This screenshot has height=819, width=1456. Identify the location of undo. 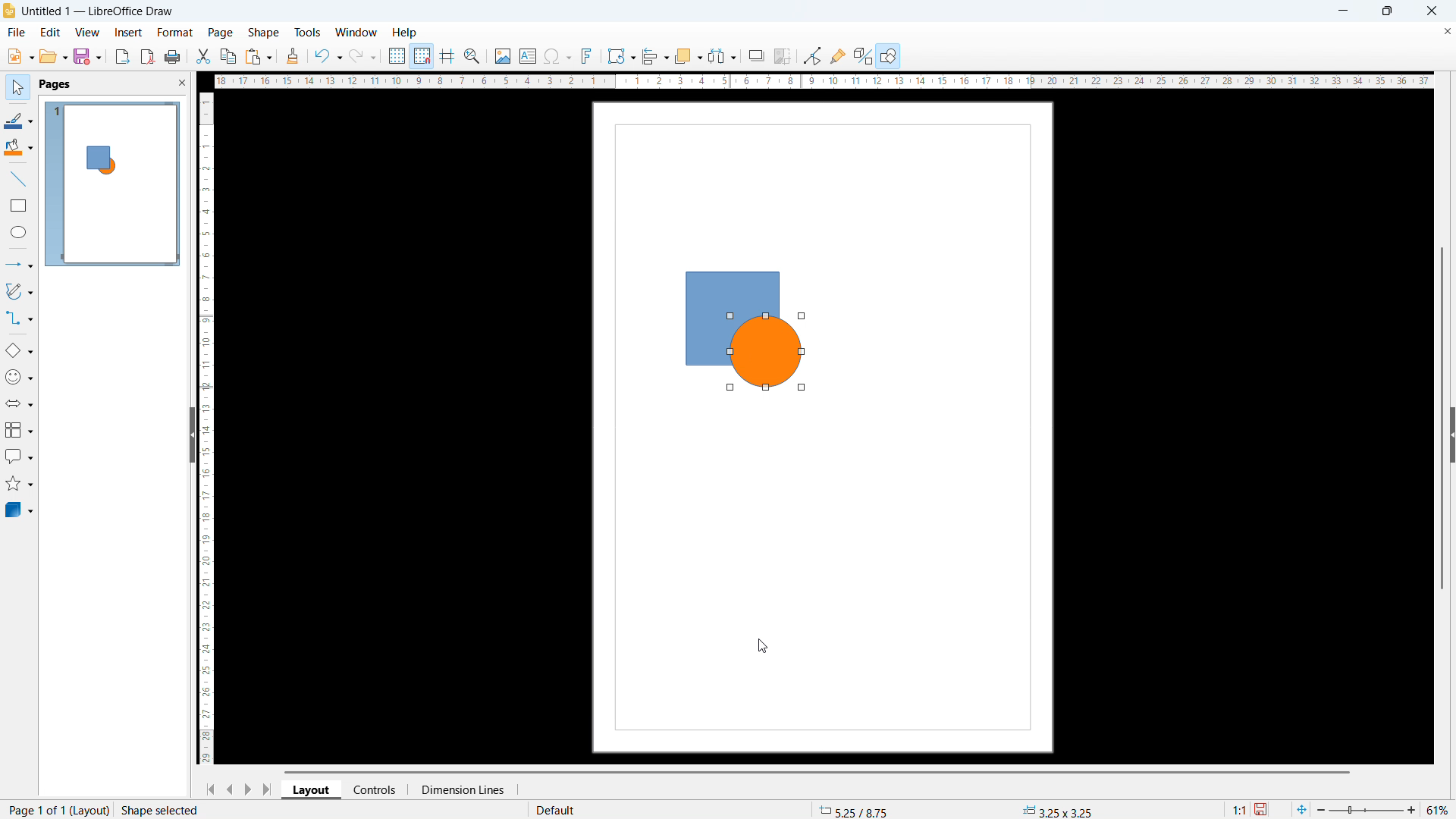
(328, 55).